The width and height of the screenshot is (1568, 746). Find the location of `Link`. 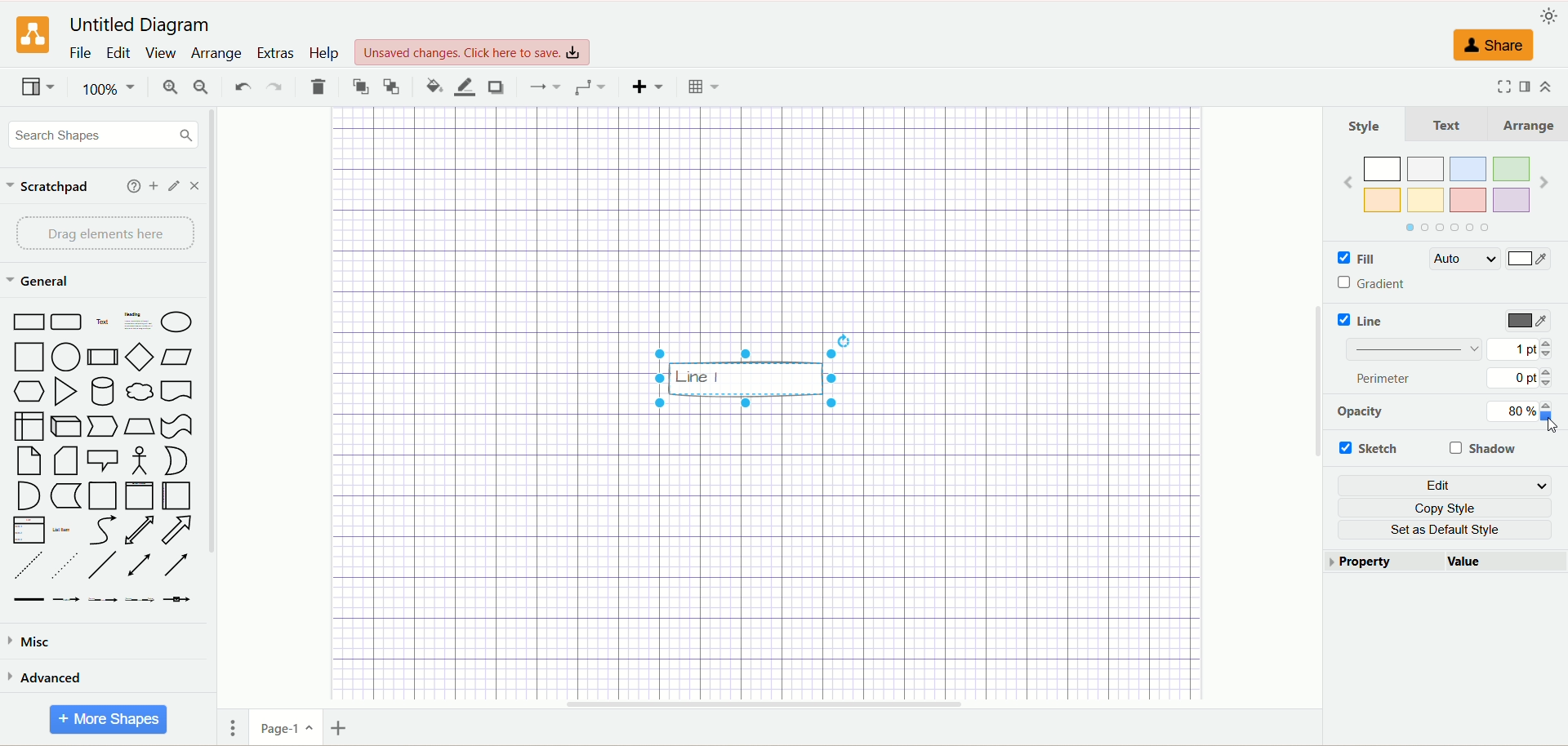

Link is located at coordinates (29, 601).